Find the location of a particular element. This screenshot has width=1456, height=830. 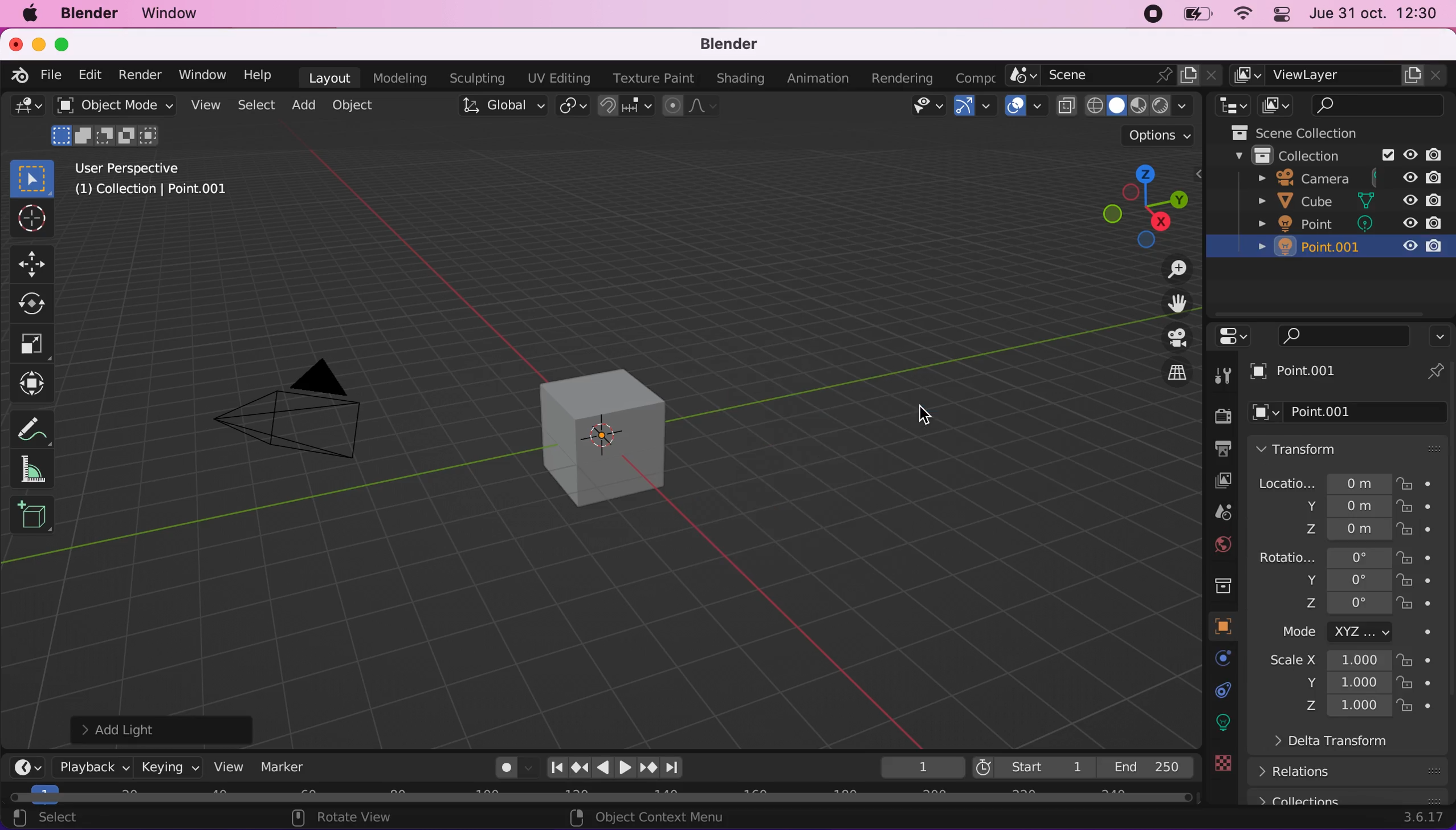

disable in renders is located at coordinates (1431, 225).